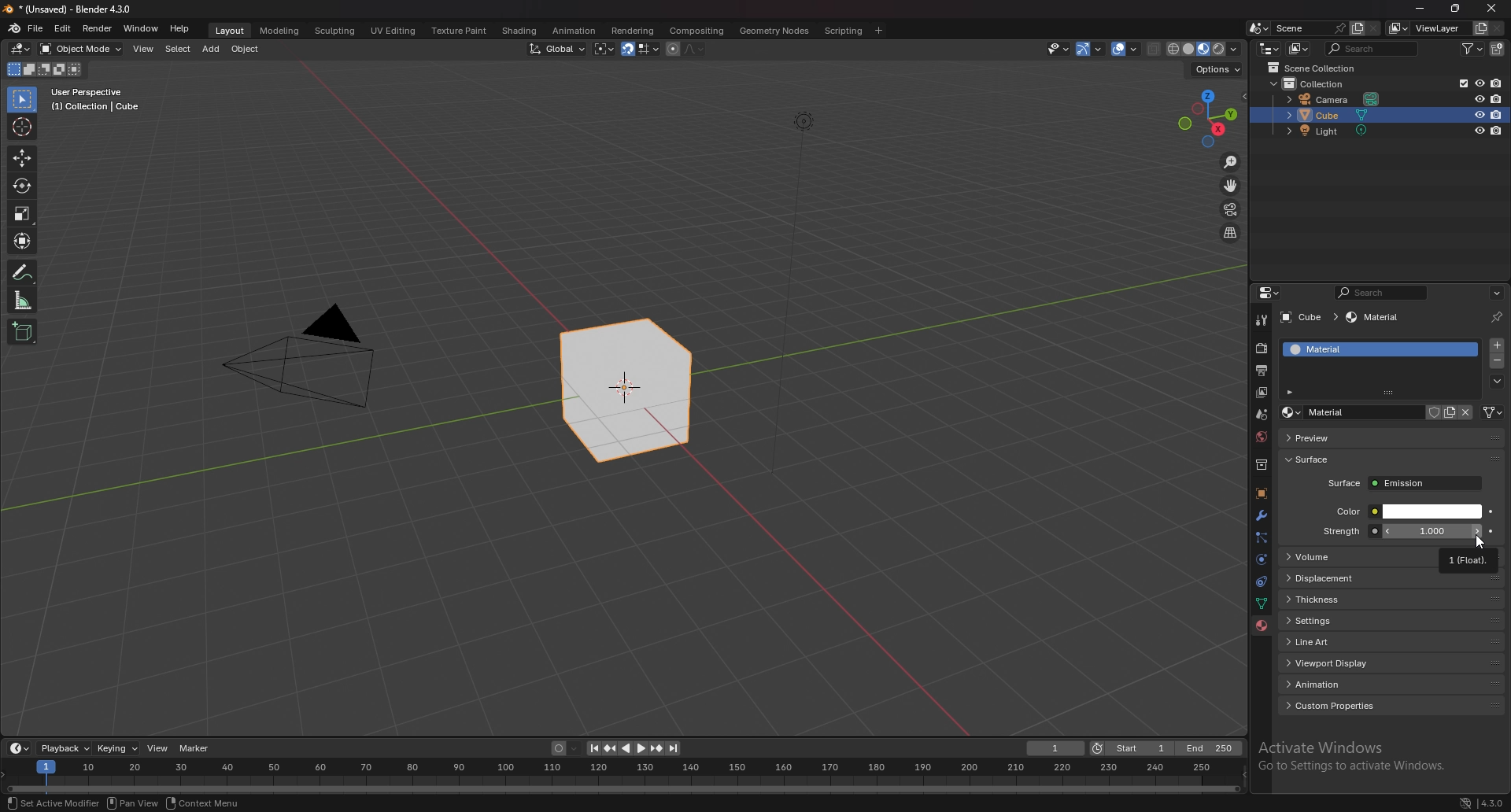  What do you see at coordinates (1338, 437) in the screenshot?
I see `preview` at bounding box center [1338, 437].